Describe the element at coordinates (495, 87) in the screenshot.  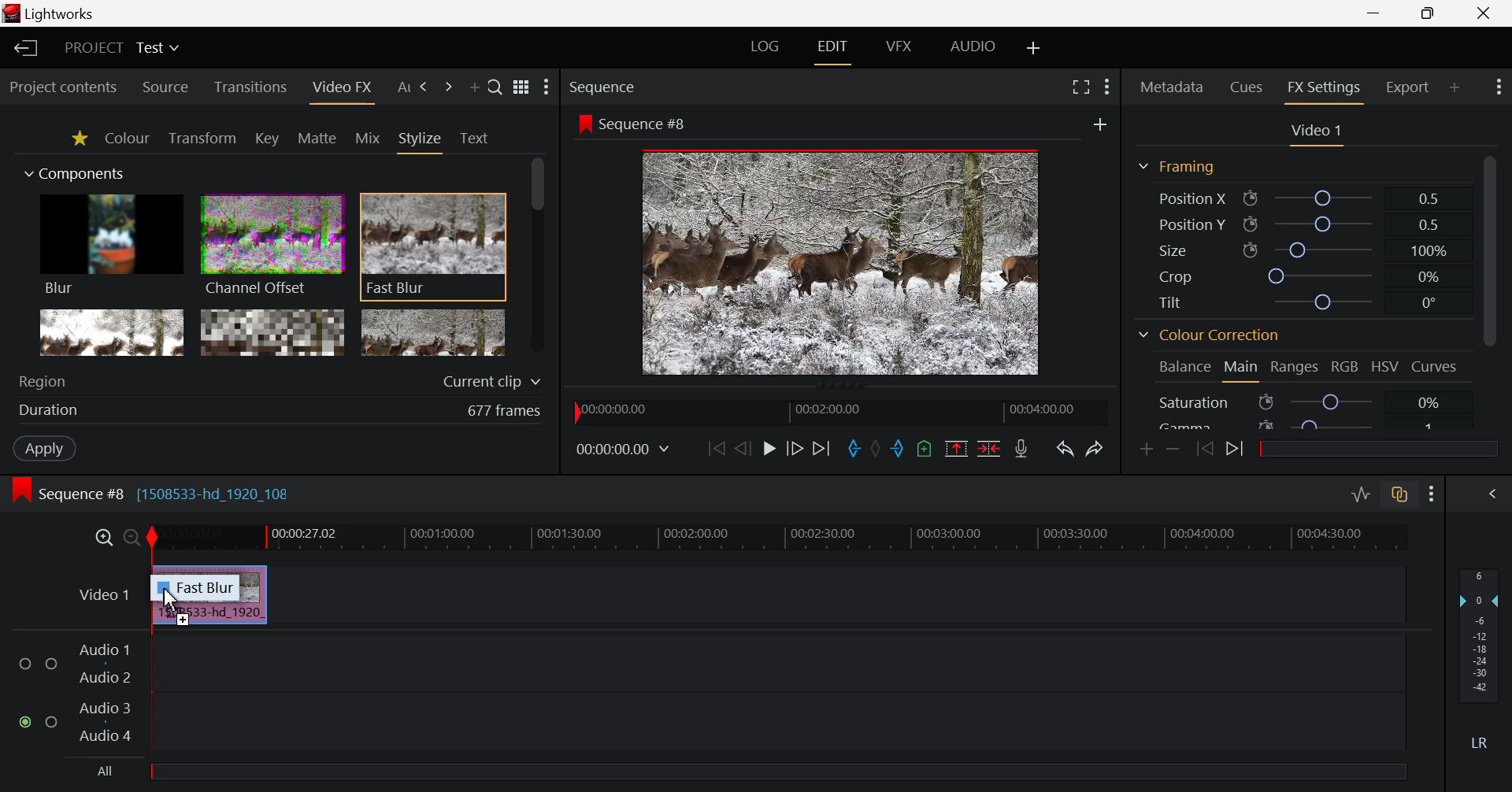
I see `Search` at that location.